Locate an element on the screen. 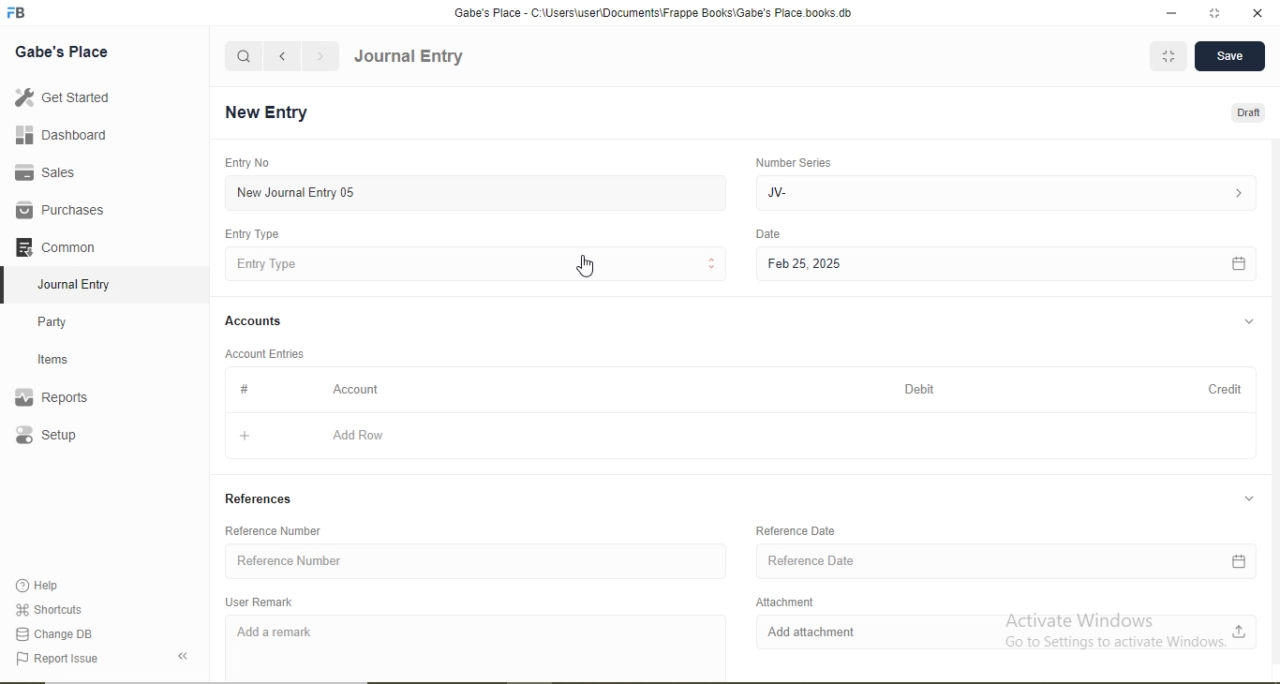 The width and height of the screenshot is (1280, 684). Journal Entry is located at coordinates (80, 282).